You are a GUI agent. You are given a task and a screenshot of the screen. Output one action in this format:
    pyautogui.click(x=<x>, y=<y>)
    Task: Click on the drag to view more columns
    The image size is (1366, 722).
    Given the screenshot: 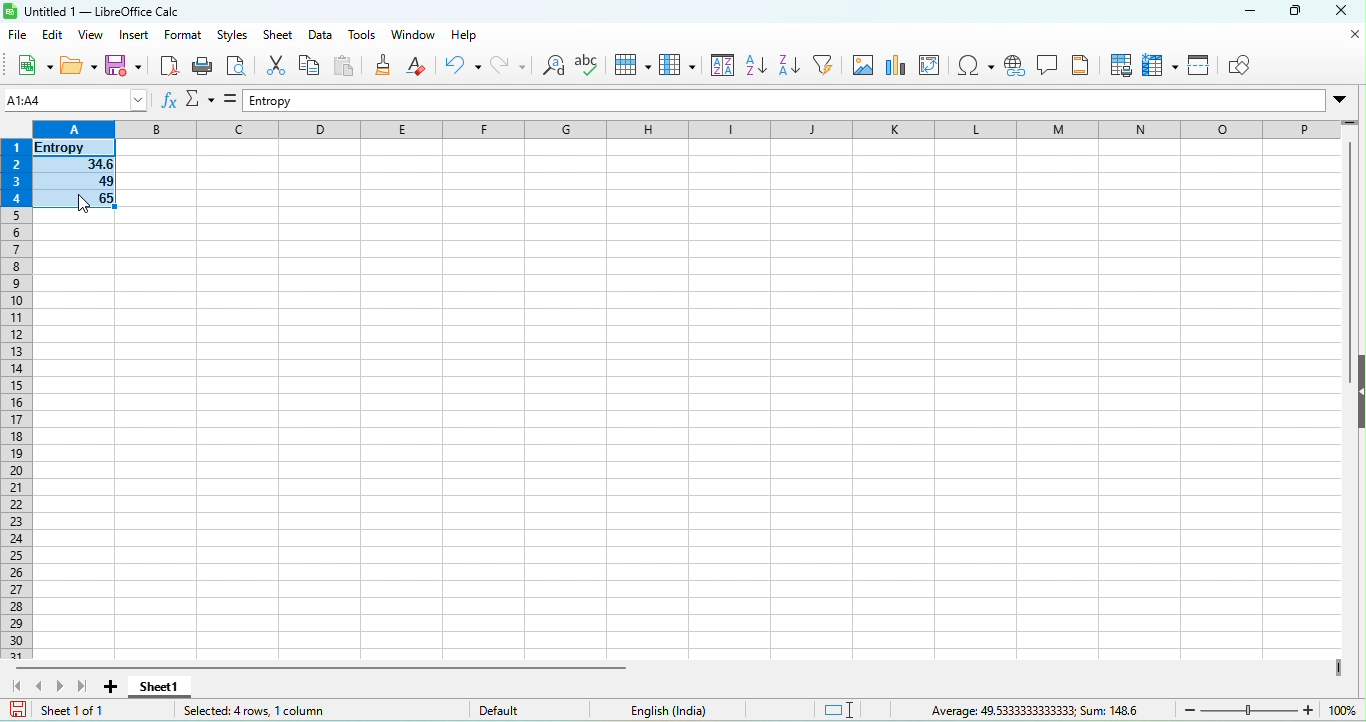 What is the action you would take?
    pyautogui.click(x=1339, y=667)
    